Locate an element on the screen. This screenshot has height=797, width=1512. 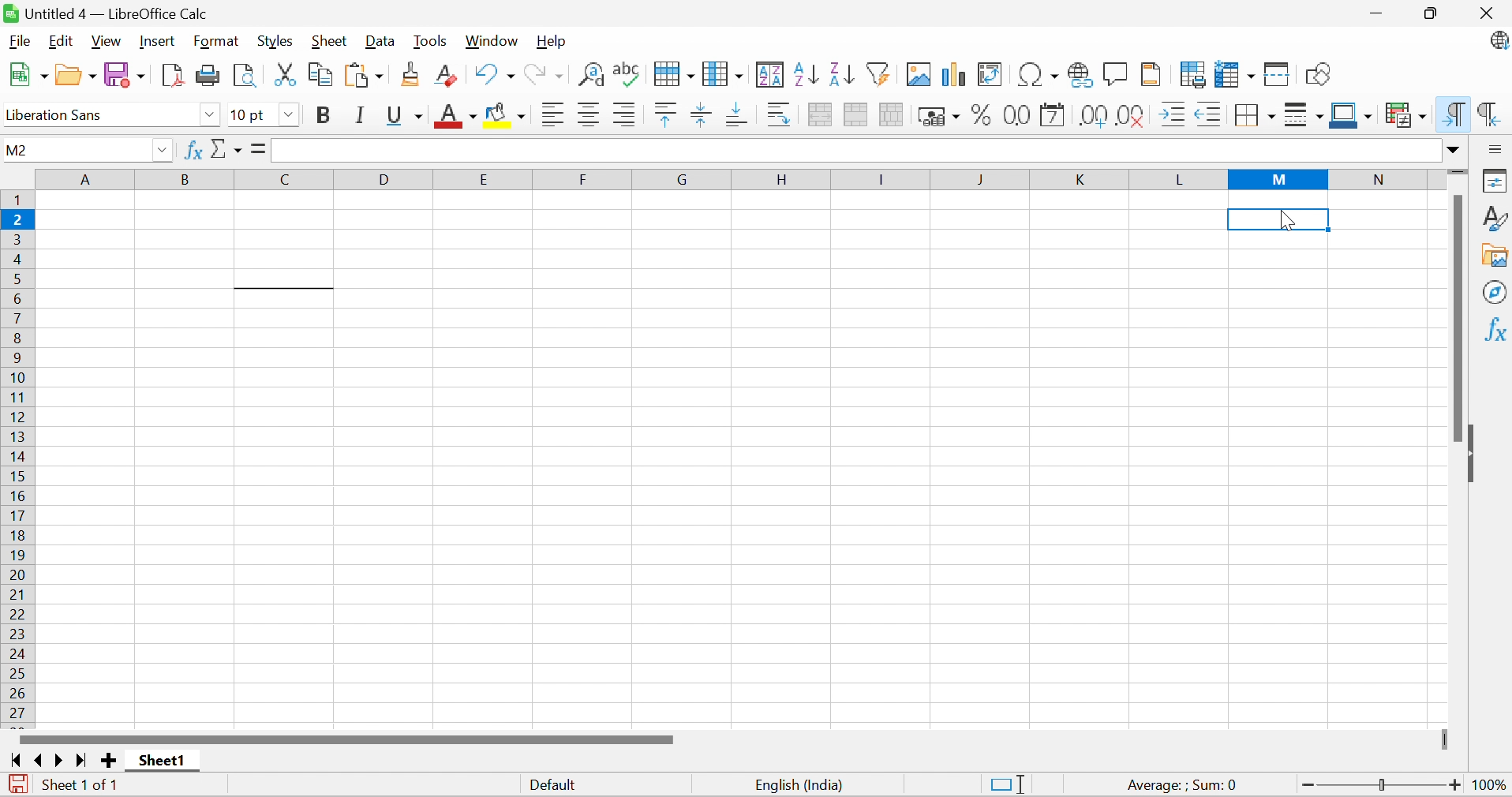
Gallery is located at coordinates (1496, 256).